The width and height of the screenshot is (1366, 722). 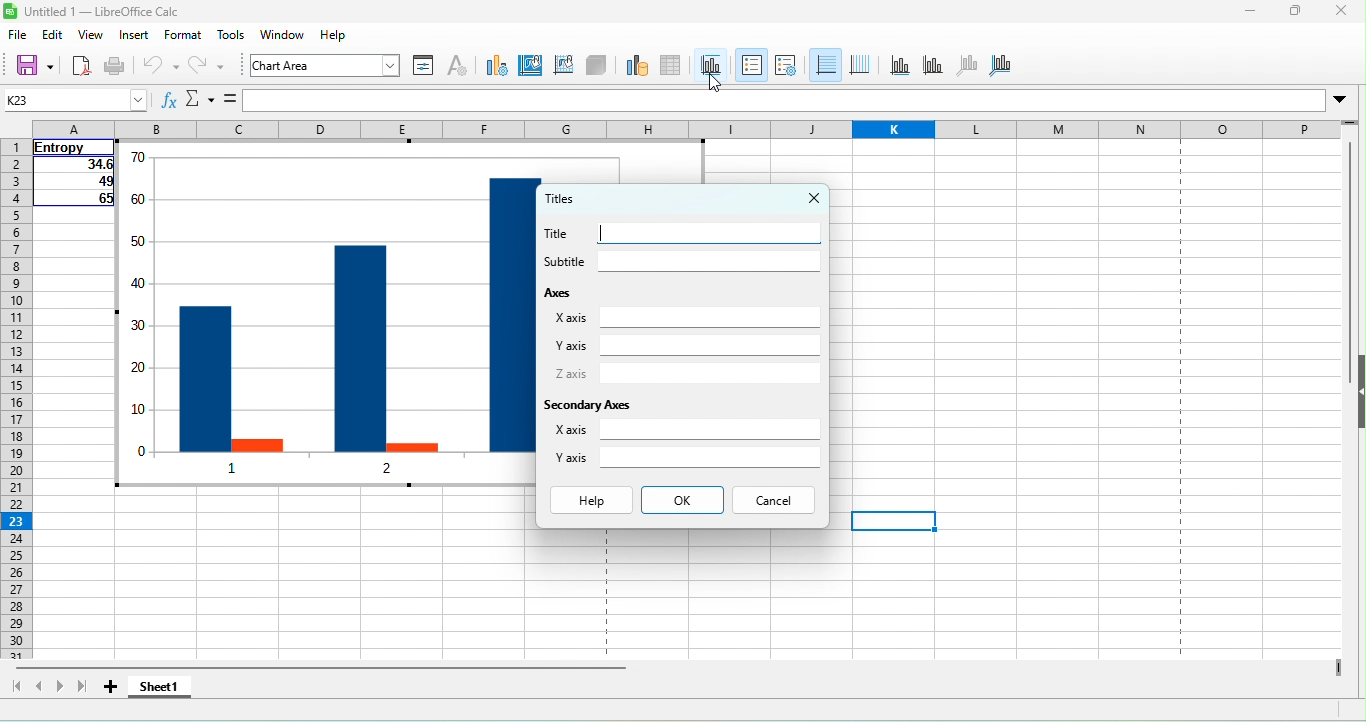 What do you see at coordinates (689, 434) in the screenshot?
I see `x axis` at bounding box center [689, 434].